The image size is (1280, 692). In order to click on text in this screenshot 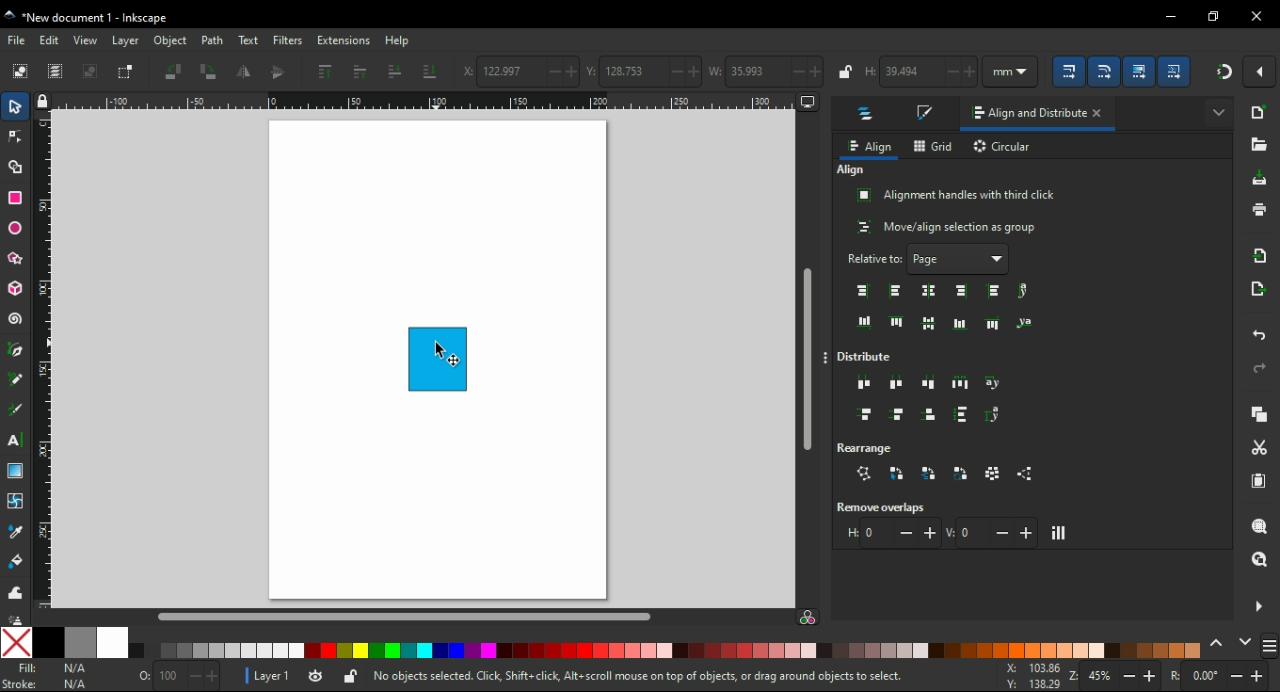, I will do `click(247, 39)`.